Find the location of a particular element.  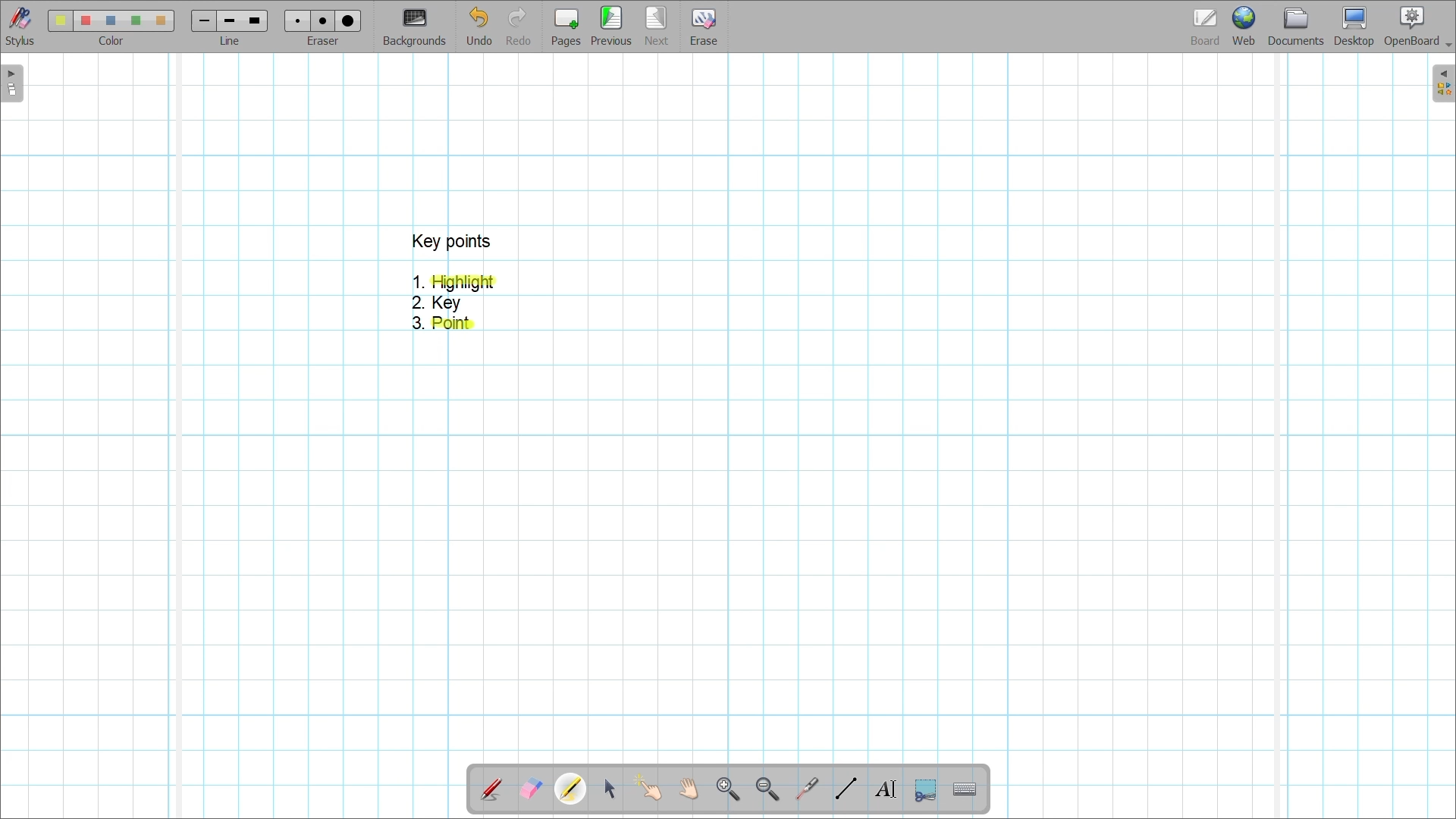

Zoom in is located at coordinates (729, 790).